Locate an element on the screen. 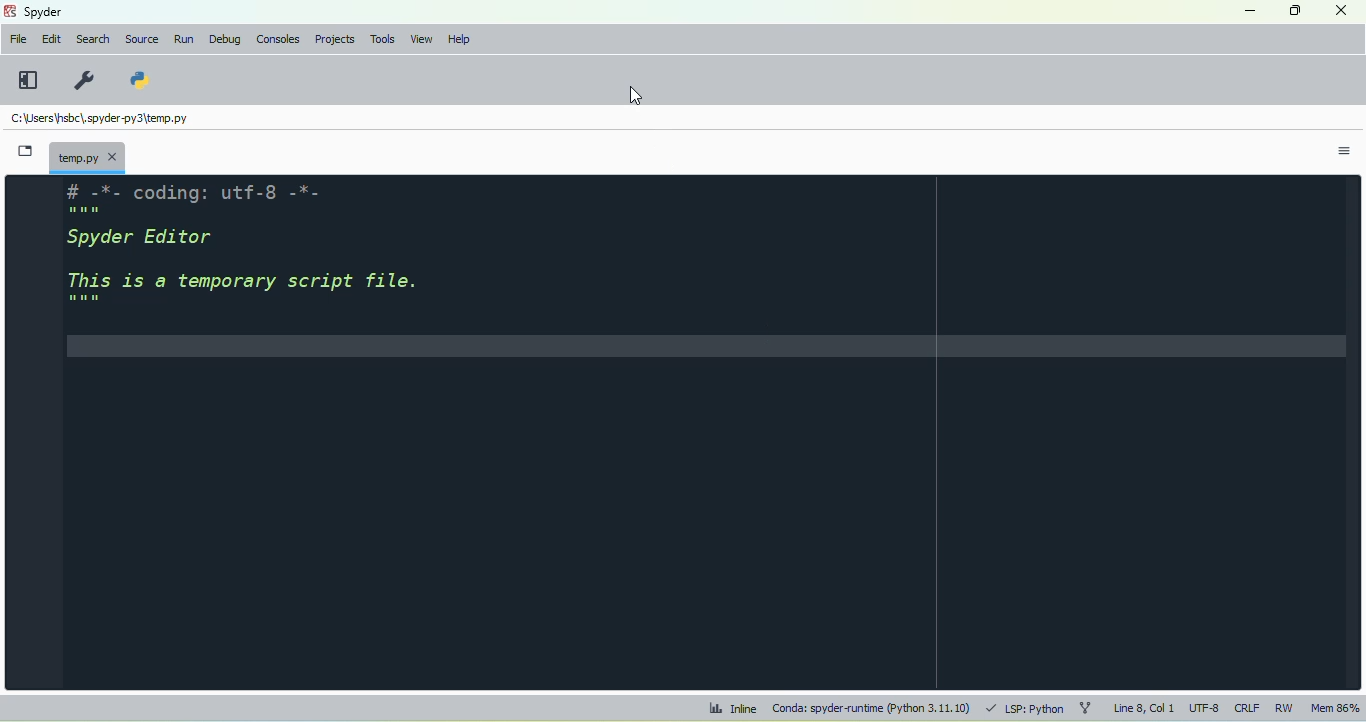  RW is located at coordinates (1285, 708).